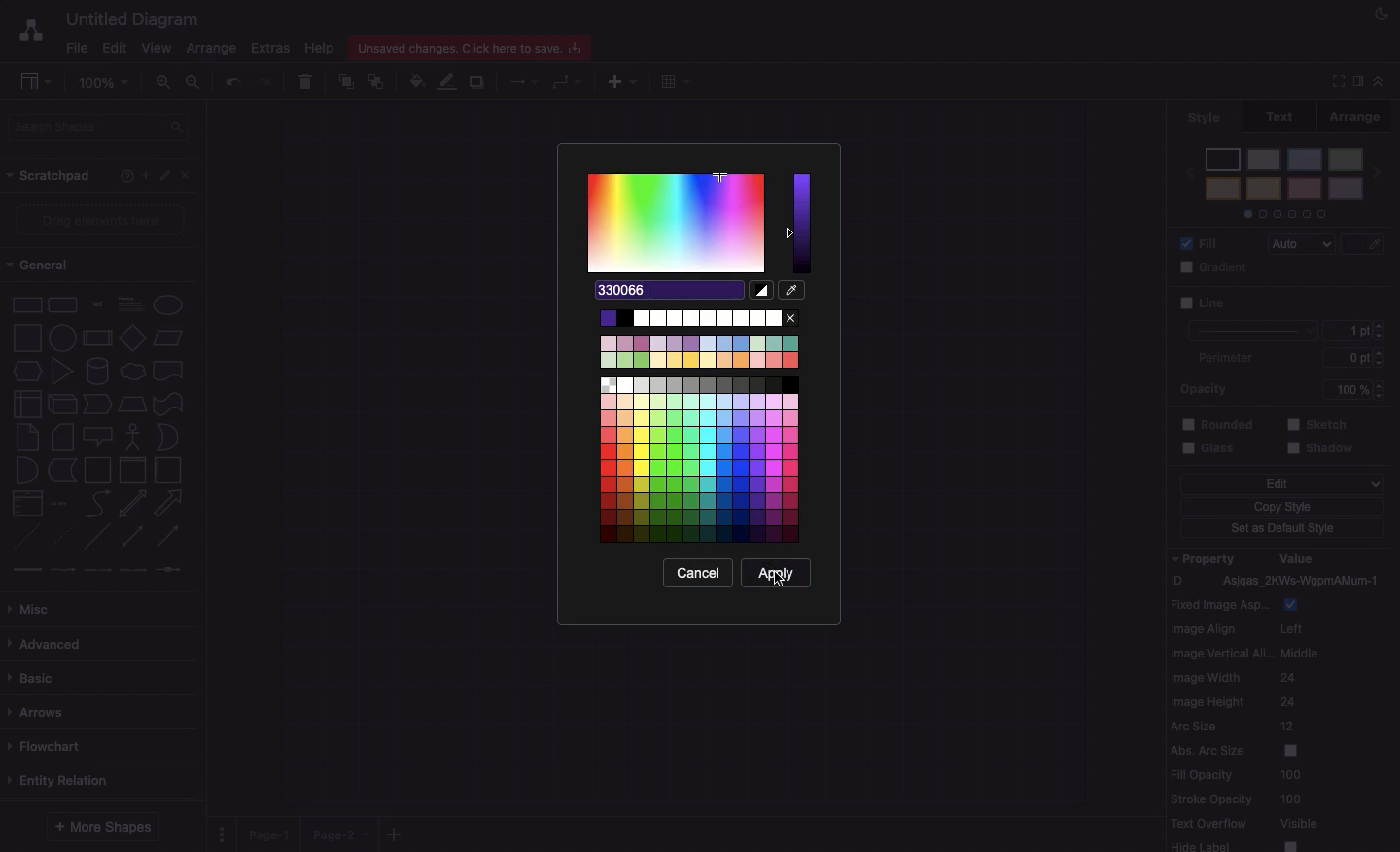  What do you see at coordinates (61, 337) in the screenshot?
I see `circle` at bounding box center [61, 337].